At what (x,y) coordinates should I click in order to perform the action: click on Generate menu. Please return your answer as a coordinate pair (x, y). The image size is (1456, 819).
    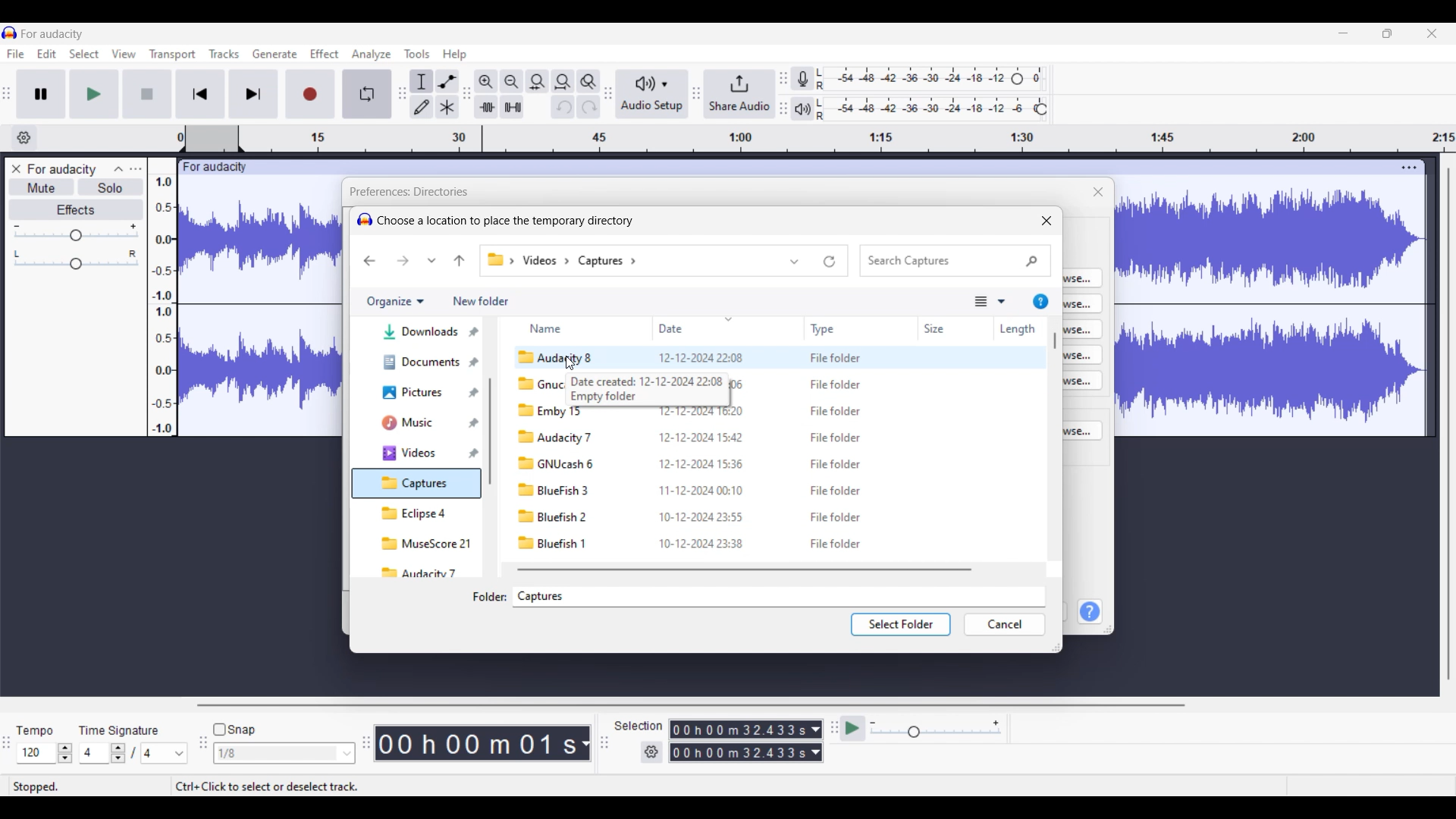
    Looking at the image, I should click on (275, 54).